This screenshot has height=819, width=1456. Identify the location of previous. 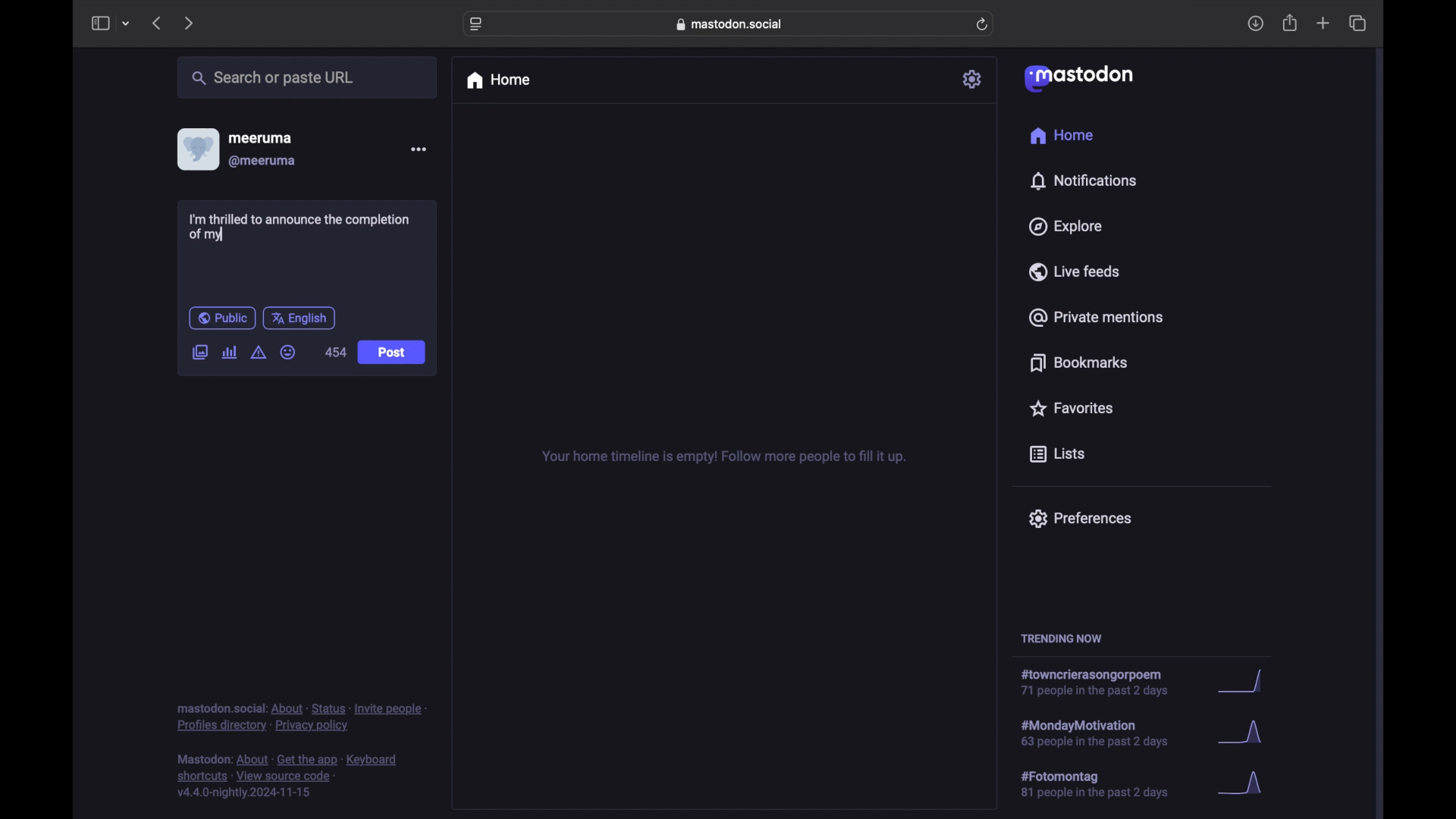
(156, 23).